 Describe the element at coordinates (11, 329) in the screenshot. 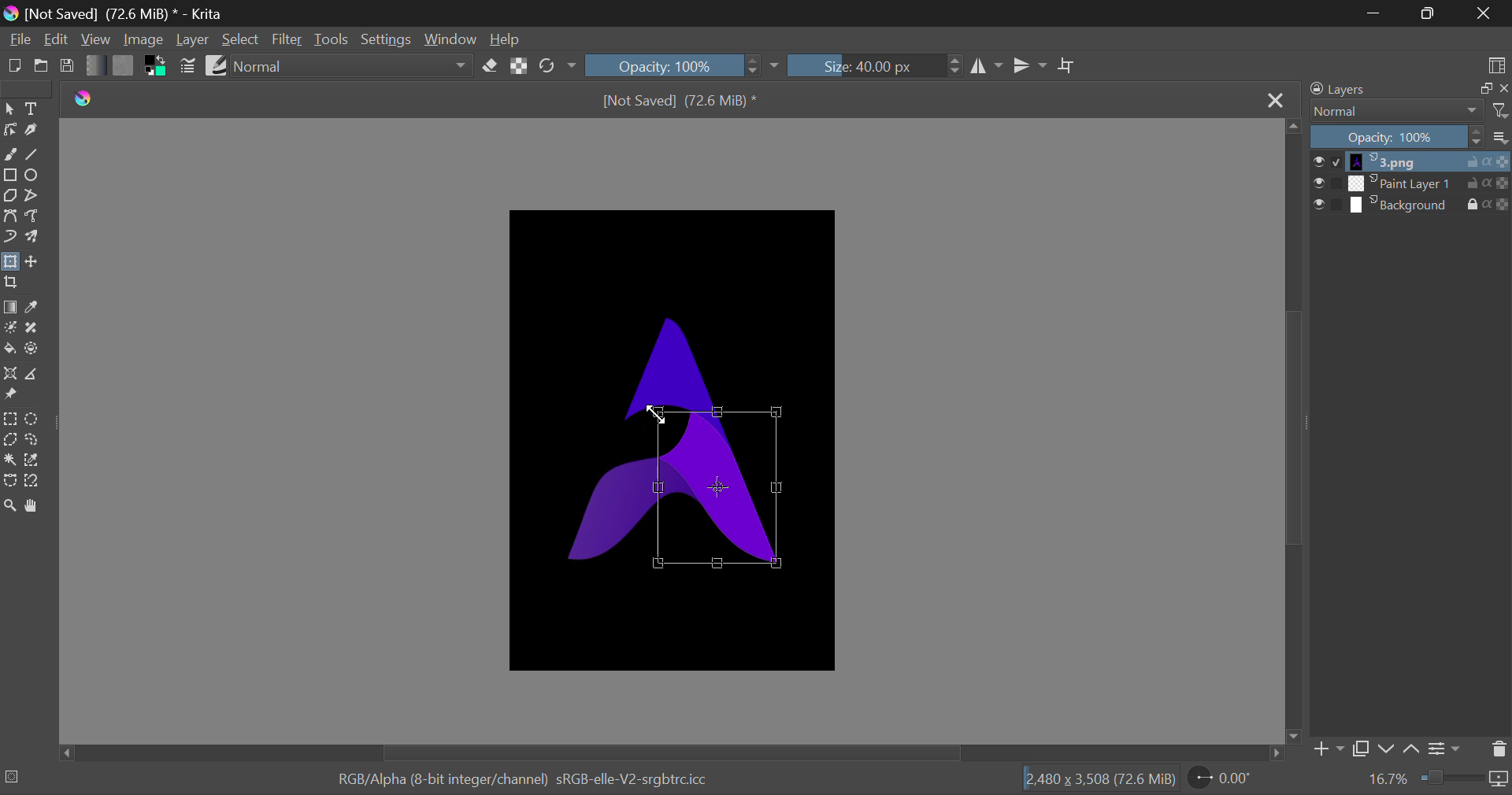

I see `Colorize Mask Tool` at that location.